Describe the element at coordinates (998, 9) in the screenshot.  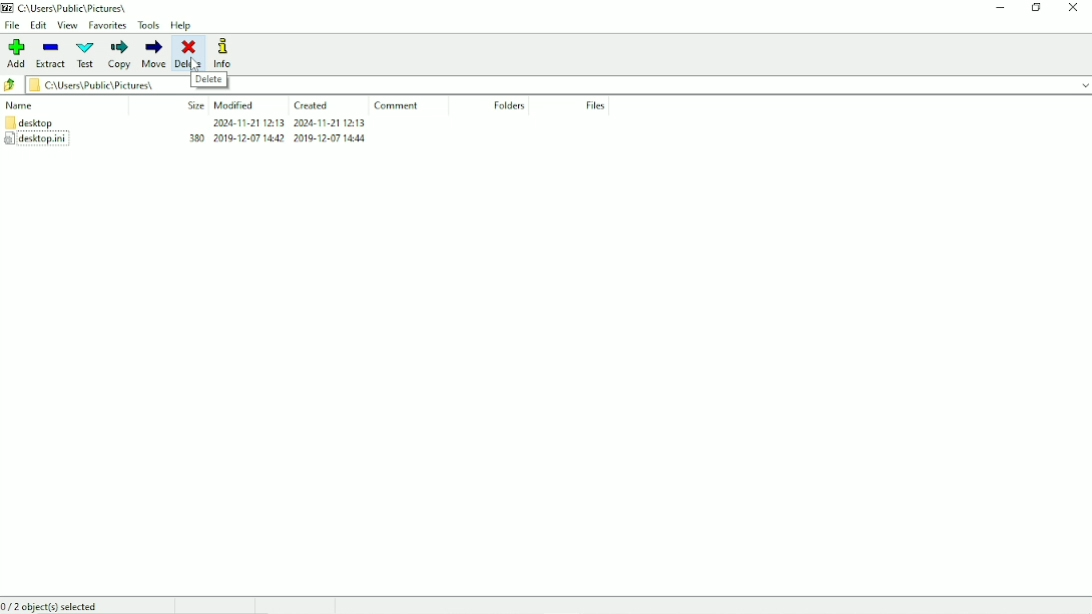
I see `Minimize` at that location.